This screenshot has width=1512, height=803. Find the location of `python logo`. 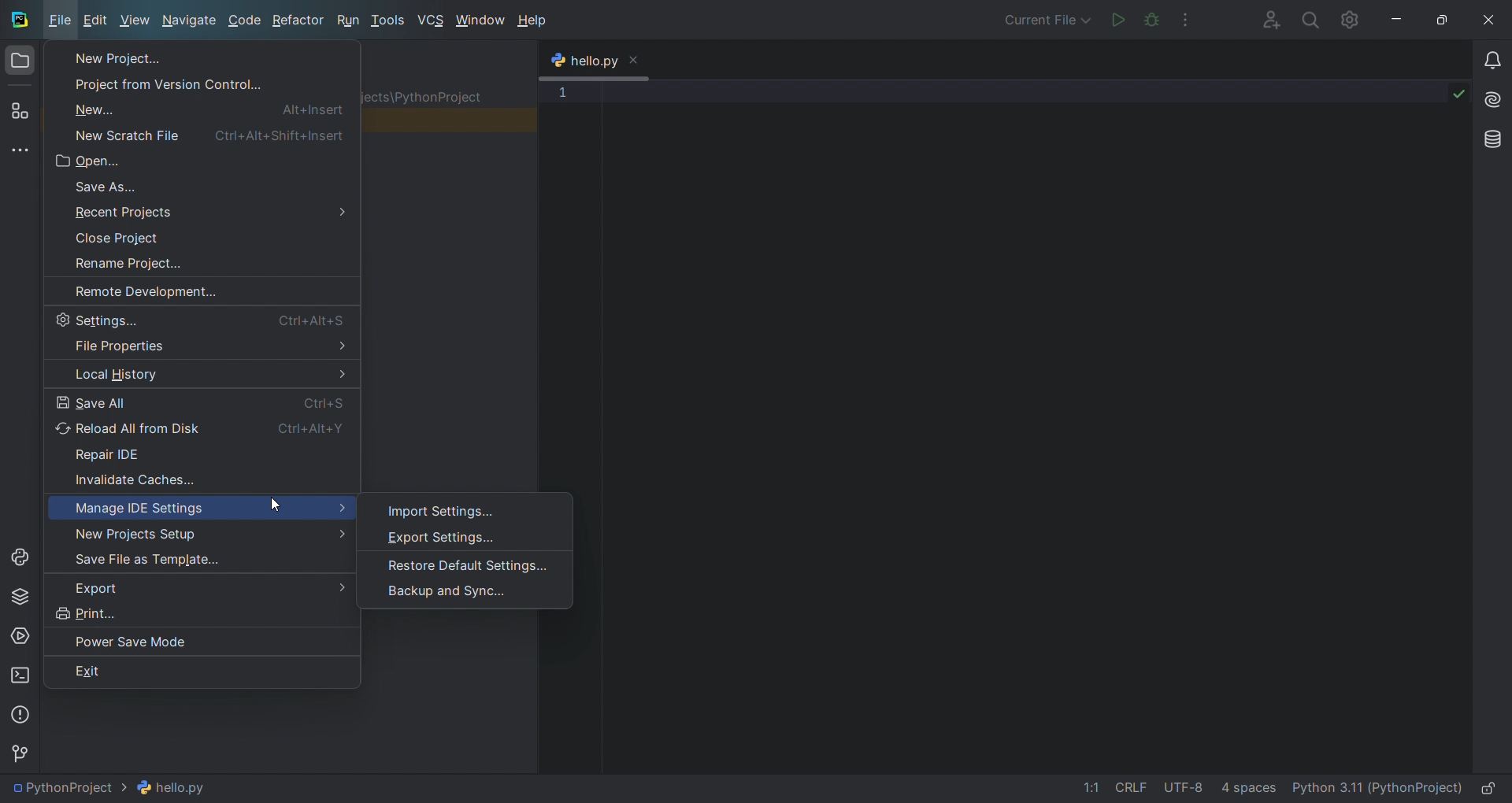

python logo is located at coordinates (557, 62).